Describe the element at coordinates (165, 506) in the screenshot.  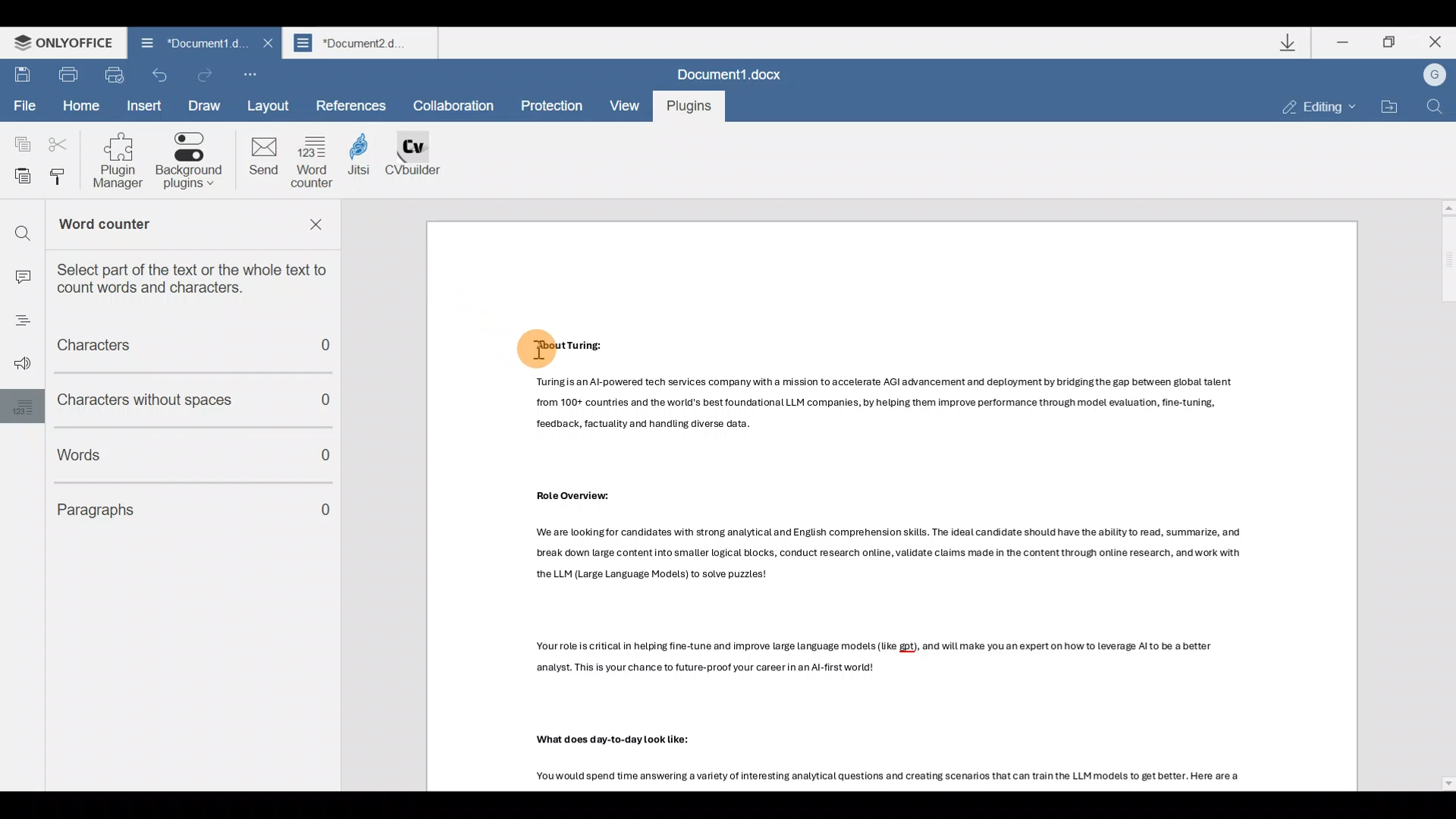
I see `Paragraphs count` at that location.